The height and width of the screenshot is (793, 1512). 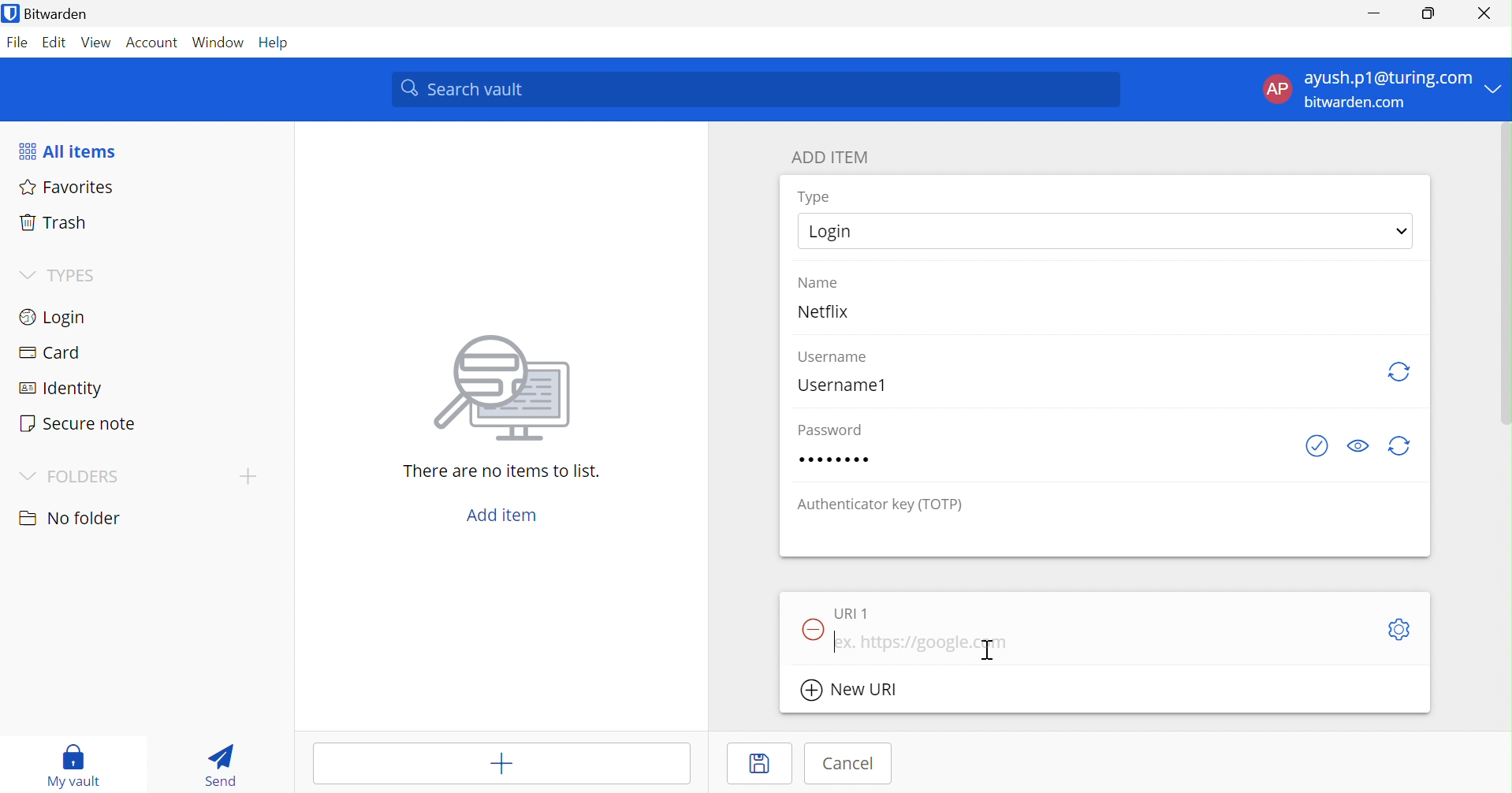 I want to click on 12345678, so click(x=836, y=459).